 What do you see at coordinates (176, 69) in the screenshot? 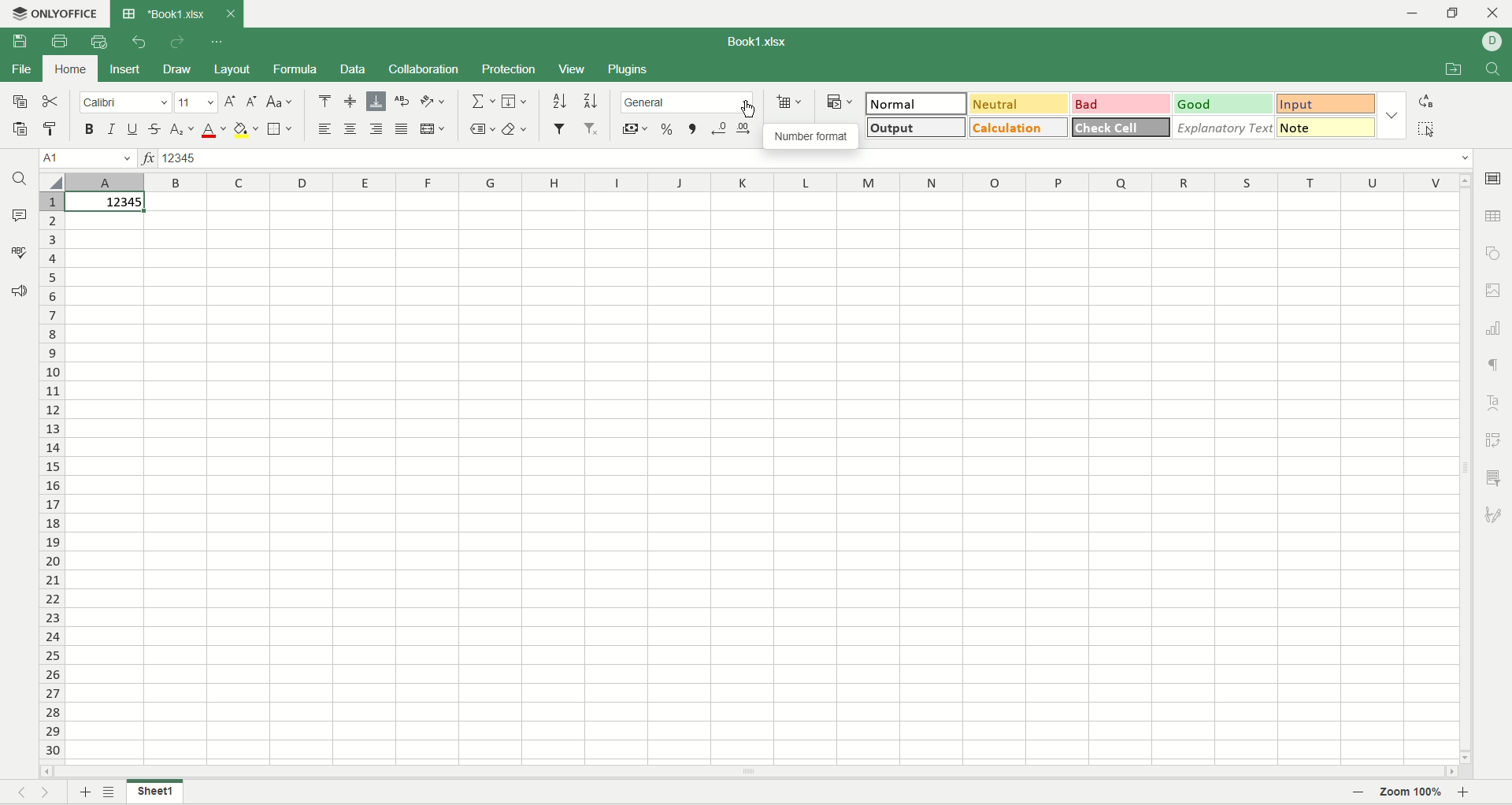
I see `draw` at bounding box center [176, 69].